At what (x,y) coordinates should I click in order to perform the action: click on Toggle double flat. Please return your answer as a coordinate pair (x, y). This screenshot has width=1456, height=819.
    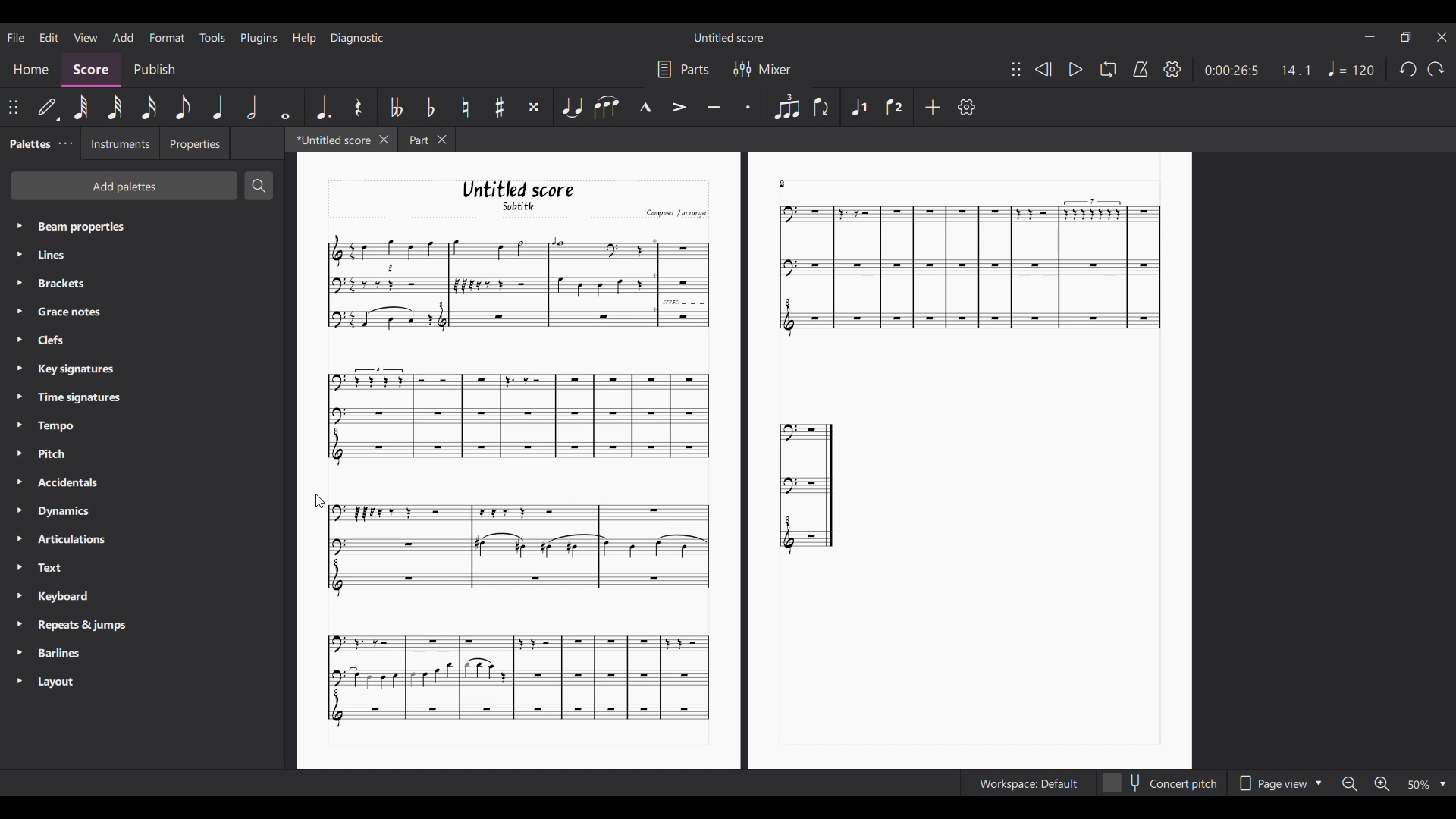
    Looking at the image, I should click on (397, 107).